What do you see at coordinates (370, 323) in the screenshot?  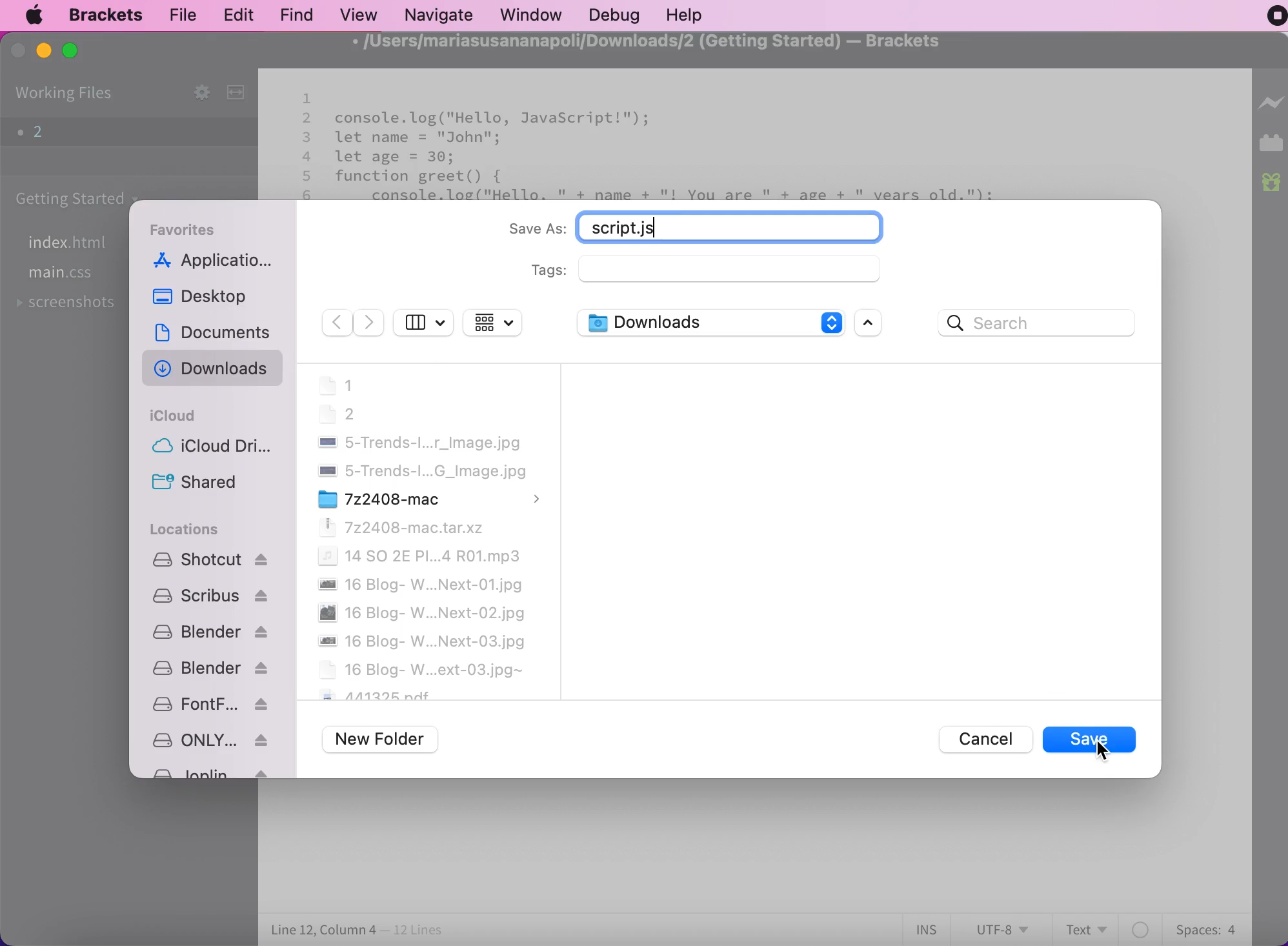 I see `forward` at bounding box center [370, 323].